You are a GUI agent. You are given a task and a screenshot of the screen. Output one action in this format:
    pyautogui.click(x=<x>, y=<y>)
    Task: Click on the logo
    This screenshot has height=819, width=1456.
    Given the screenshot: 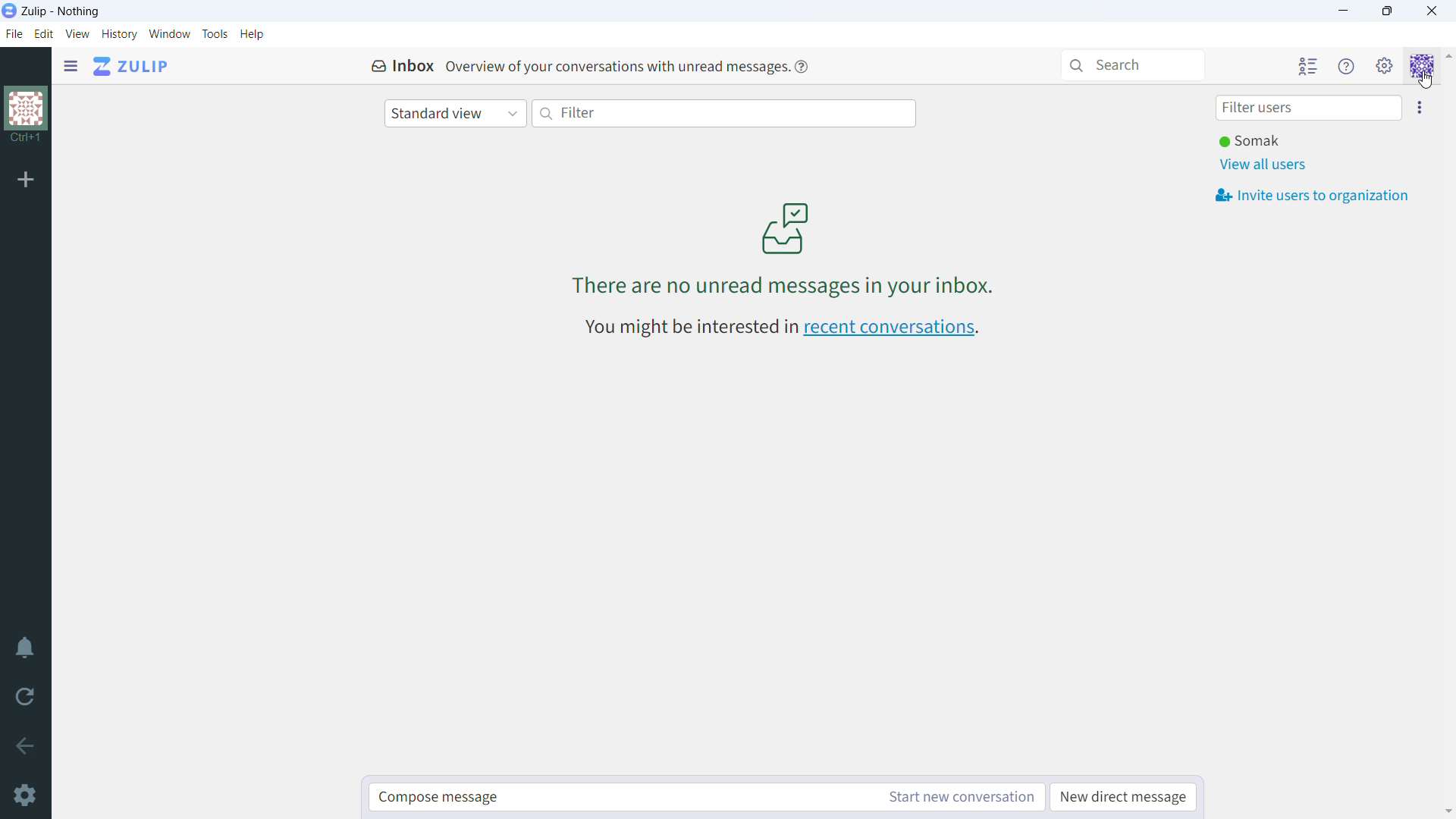 What is the action you would take?
    pyautogui.click(x=9, y=11)
    